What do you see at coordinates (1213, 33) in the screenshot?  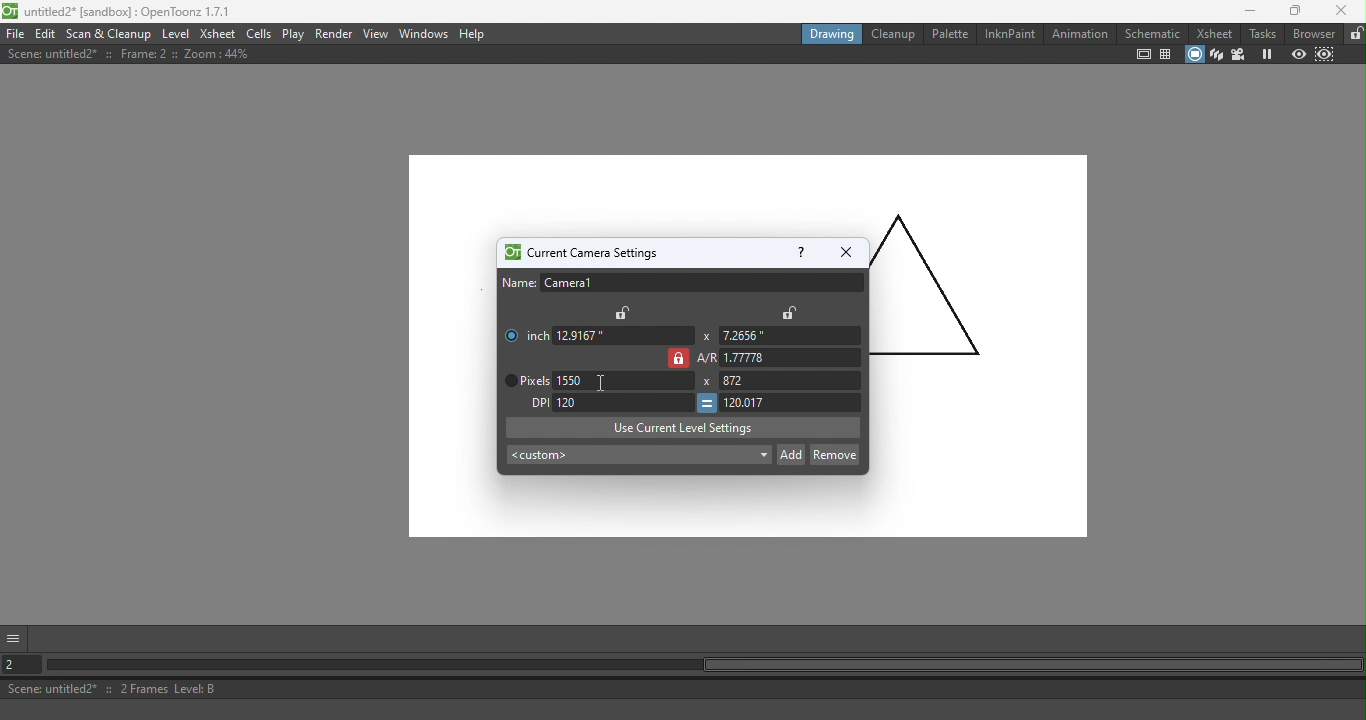 I see `Xsheet` at bounding box center [1213, 33].